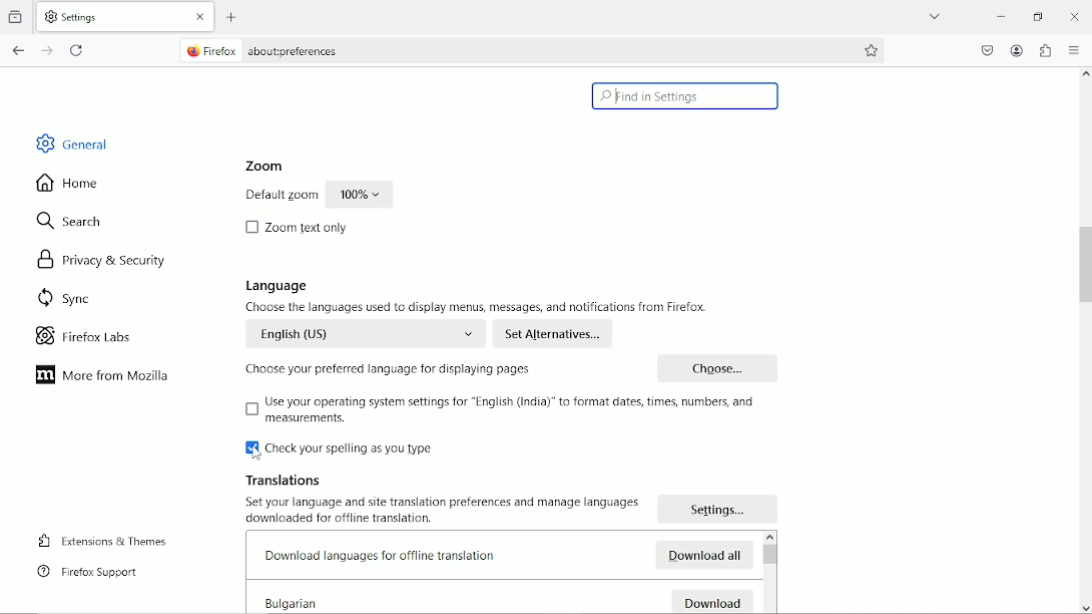 Image resolution: width=1092 pixels, height=614 pixels. What do you see at coordinates (233, 17) in the screenshot?
I see `New tab` at bounding box center [233, 17].